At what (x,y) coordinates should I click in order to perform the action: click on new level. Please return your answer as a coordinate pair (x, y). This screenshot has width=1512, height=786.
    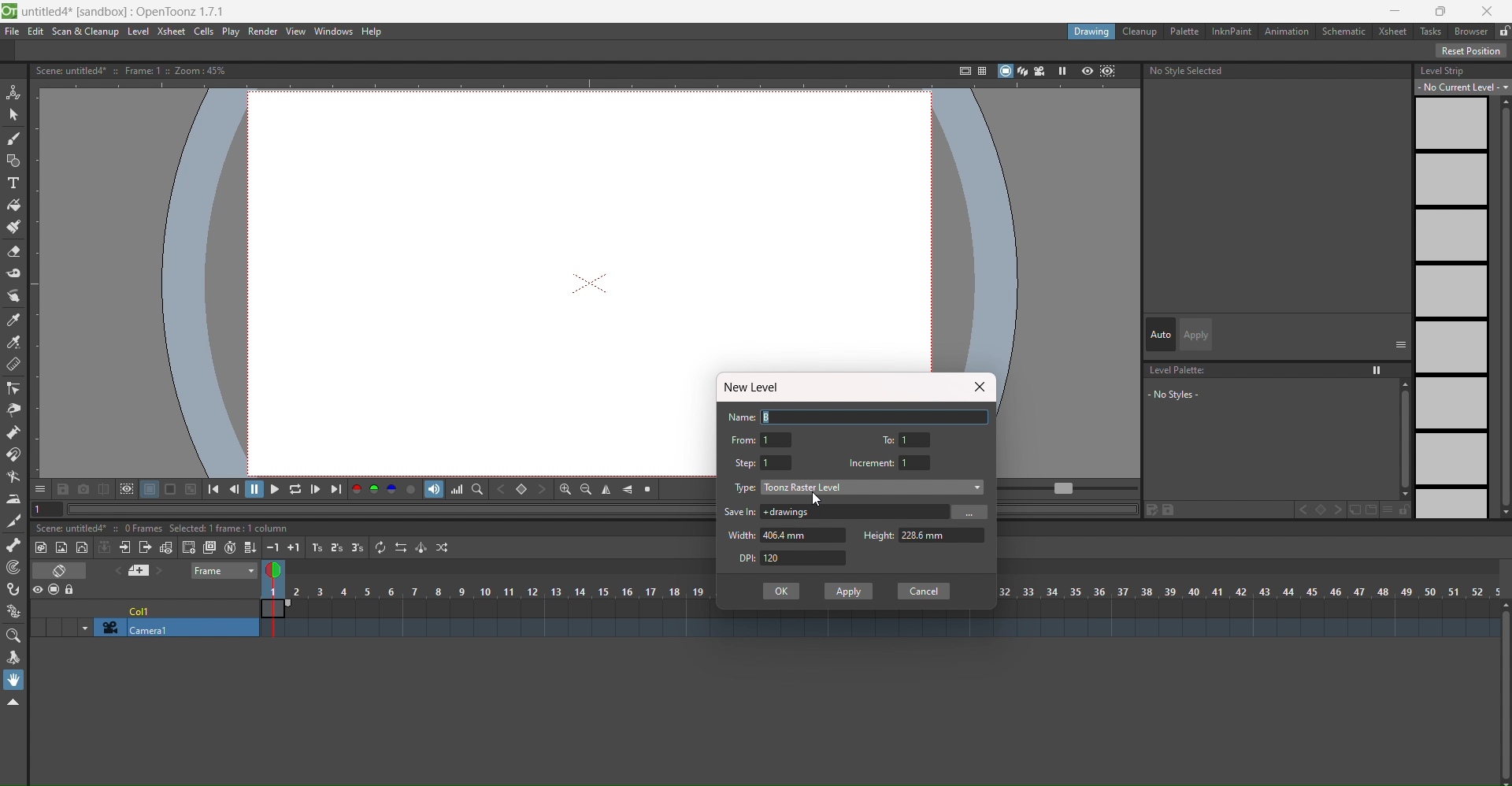
    Looking at the image, I should click on (756, 387).